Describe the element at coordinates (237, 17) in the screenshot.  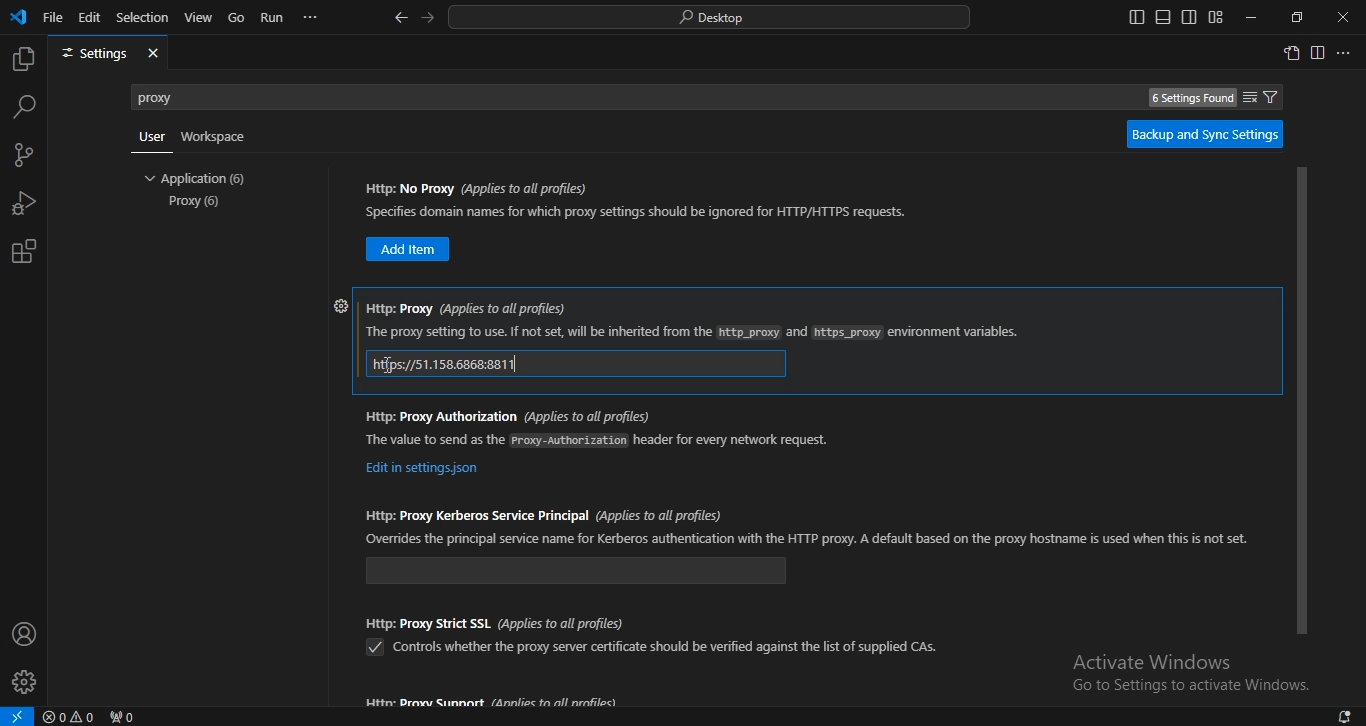
I see `go` at that location.